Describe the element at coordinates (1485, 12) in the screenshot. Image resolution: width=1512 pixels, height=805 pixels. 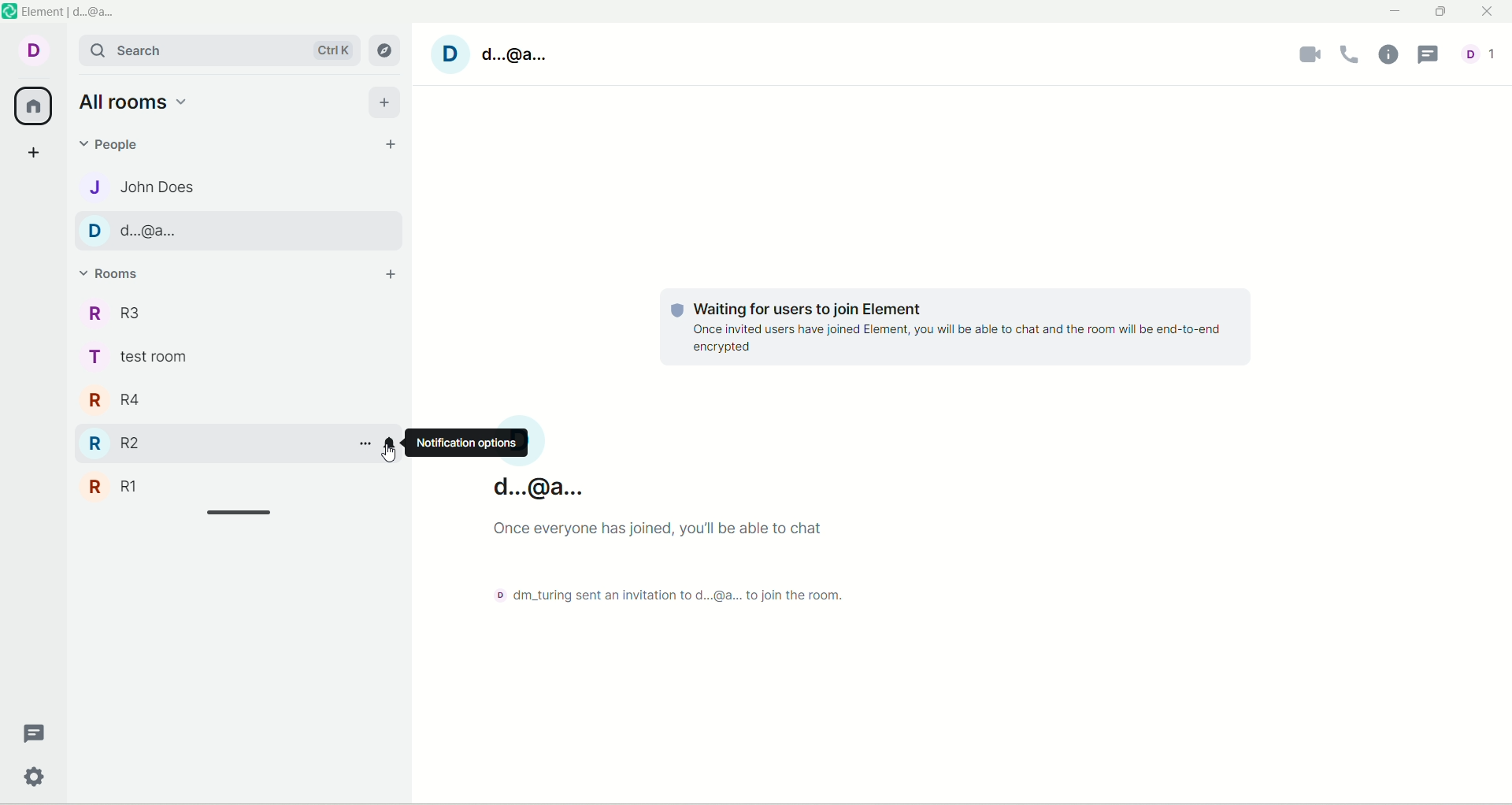
I see `close` at that location.